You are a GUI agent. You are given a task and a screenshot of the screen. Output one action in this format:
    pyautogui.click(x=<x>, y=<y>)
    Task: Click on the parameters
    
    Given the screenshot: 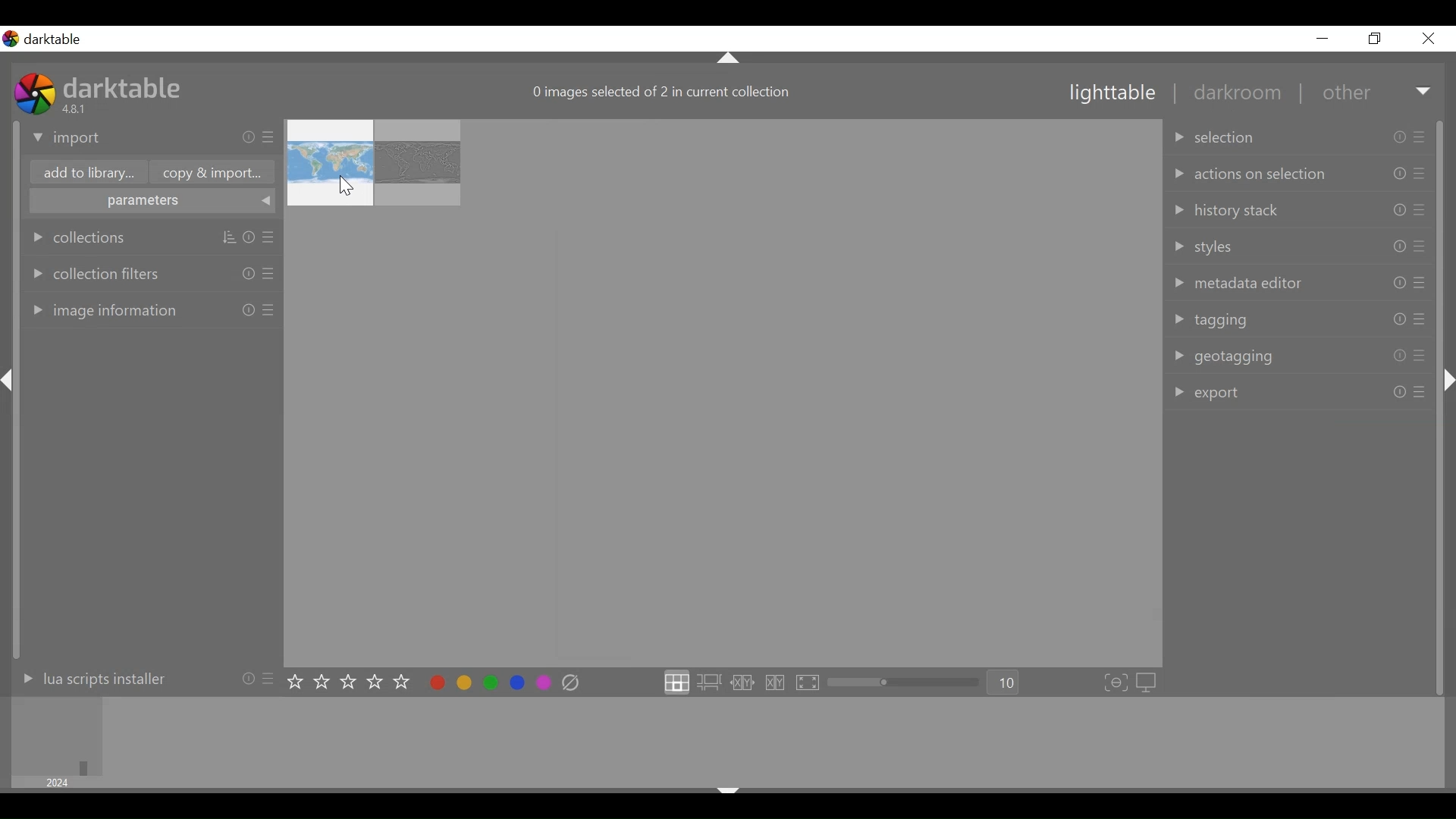 What is the action you would take?
    pyautogui.click(x=149, y=202)
    